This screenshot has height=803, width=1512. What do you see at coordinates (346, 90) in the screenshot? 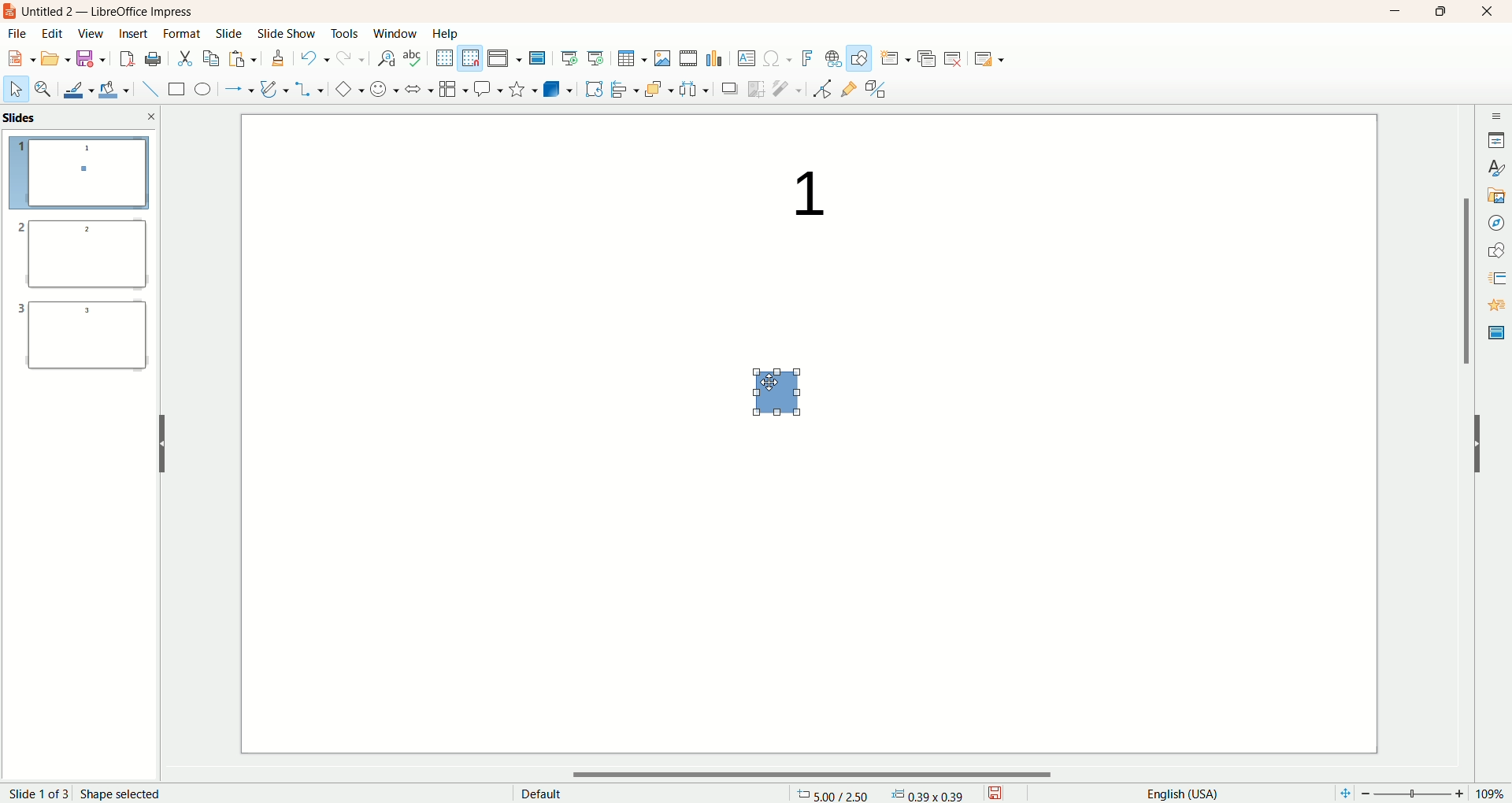
I see `basic shapes` at bounding box center [346, 90].